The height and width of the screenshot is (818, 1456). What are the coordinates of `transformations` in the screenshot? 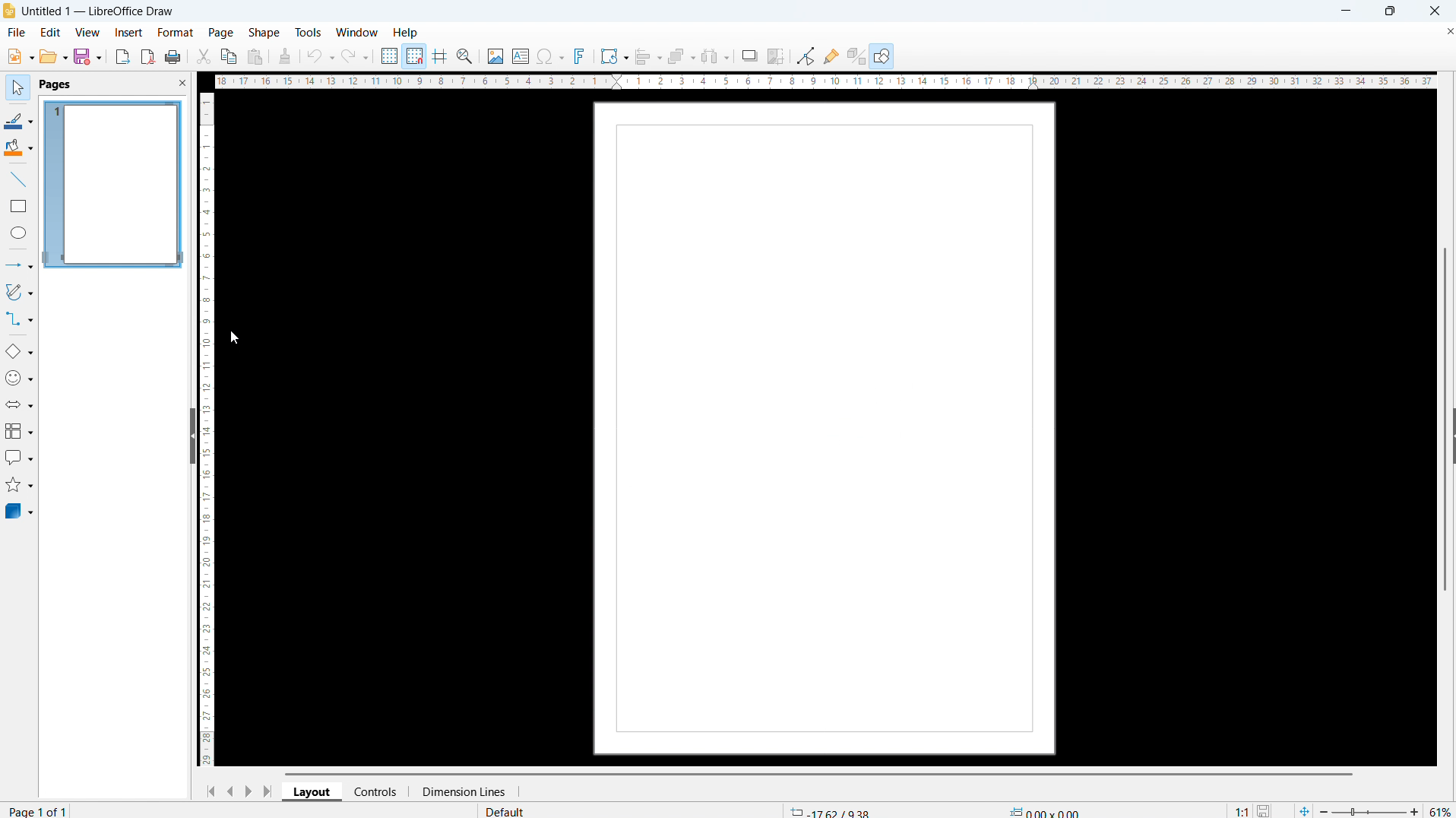 It's located at (614, 55).